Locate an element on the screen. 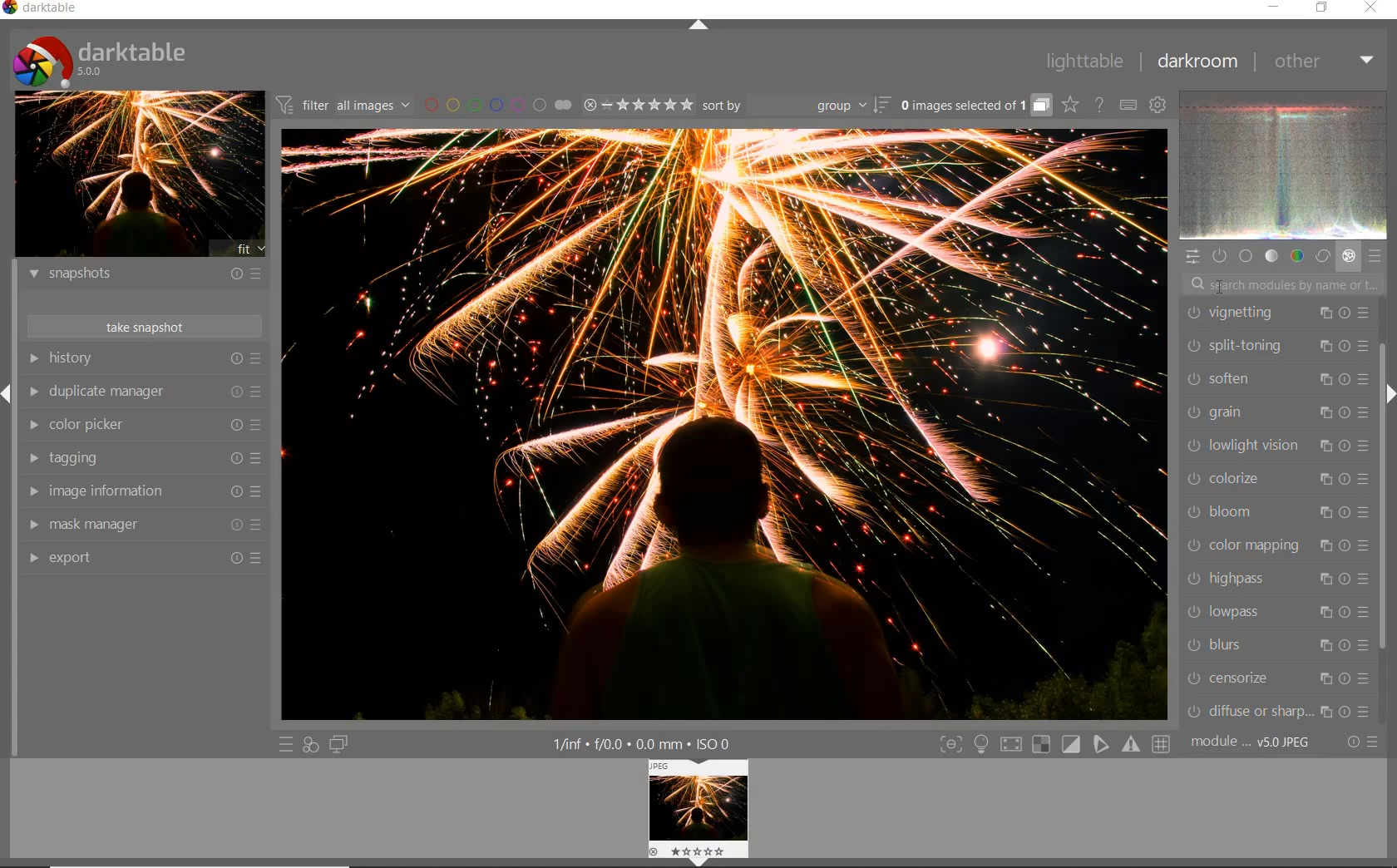 This screenshot has width=1397, height=868. duplicate manager is located at coordinates (146, 392).